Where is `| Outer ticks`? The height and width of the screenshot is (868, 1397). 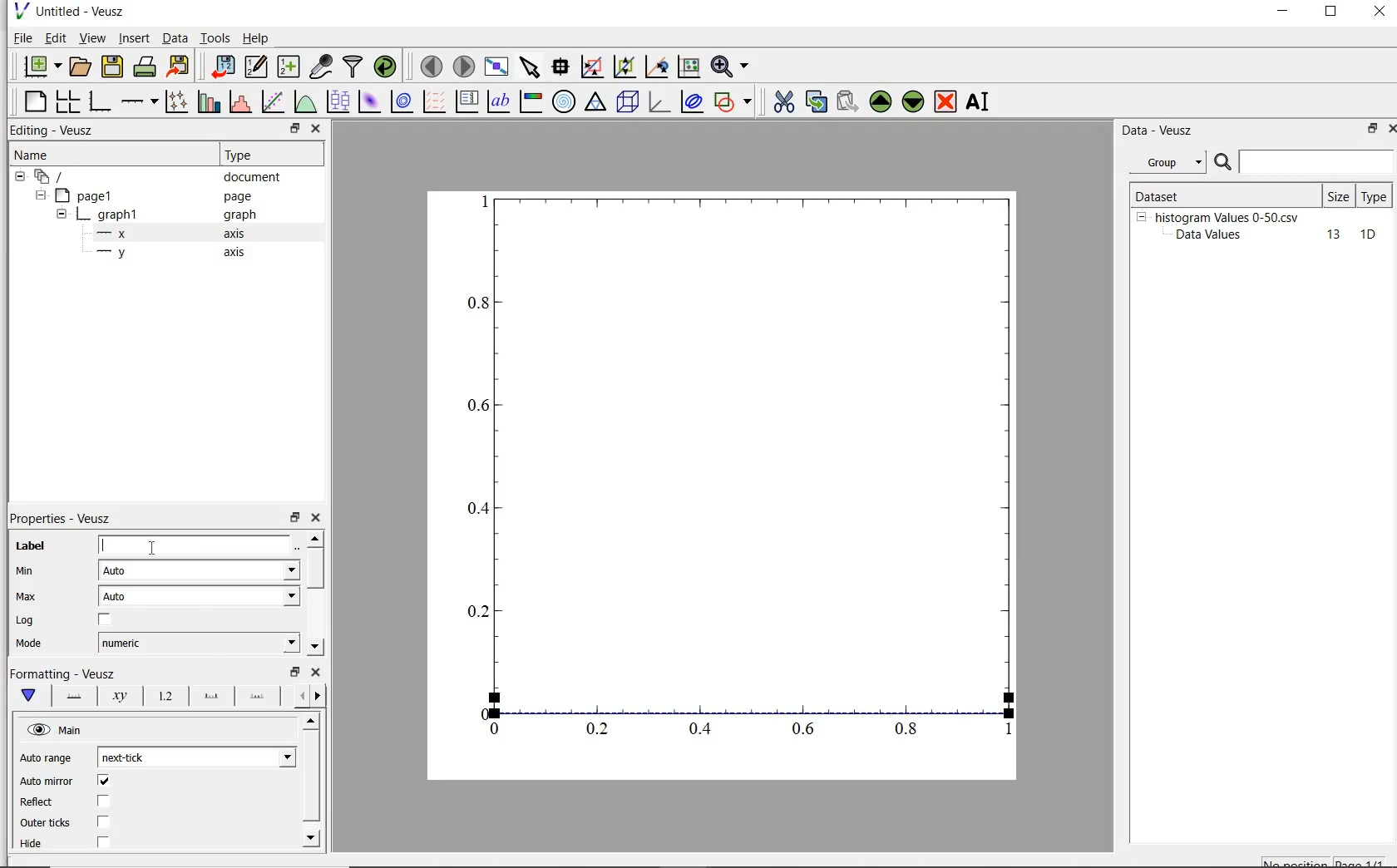 | Outer ticks is located at coordinates (47, 822).